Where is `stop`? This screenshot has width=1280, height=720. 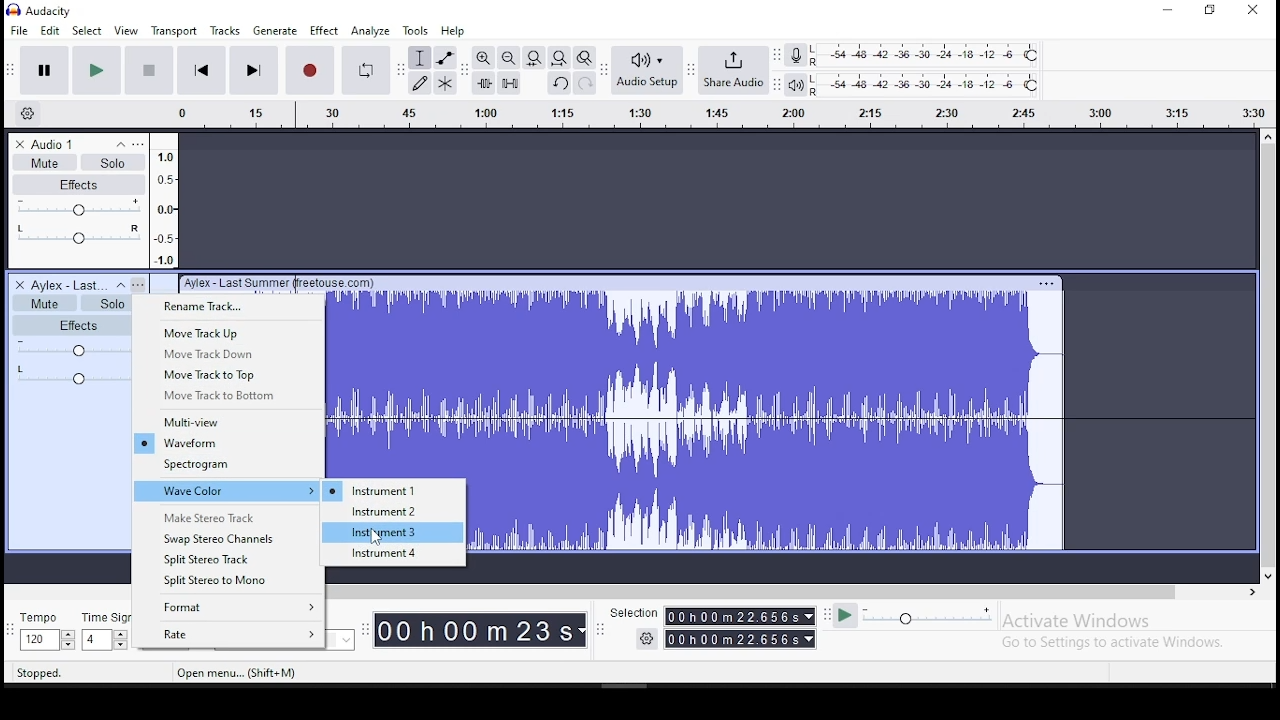
stop is located at coordinates (149, 70).